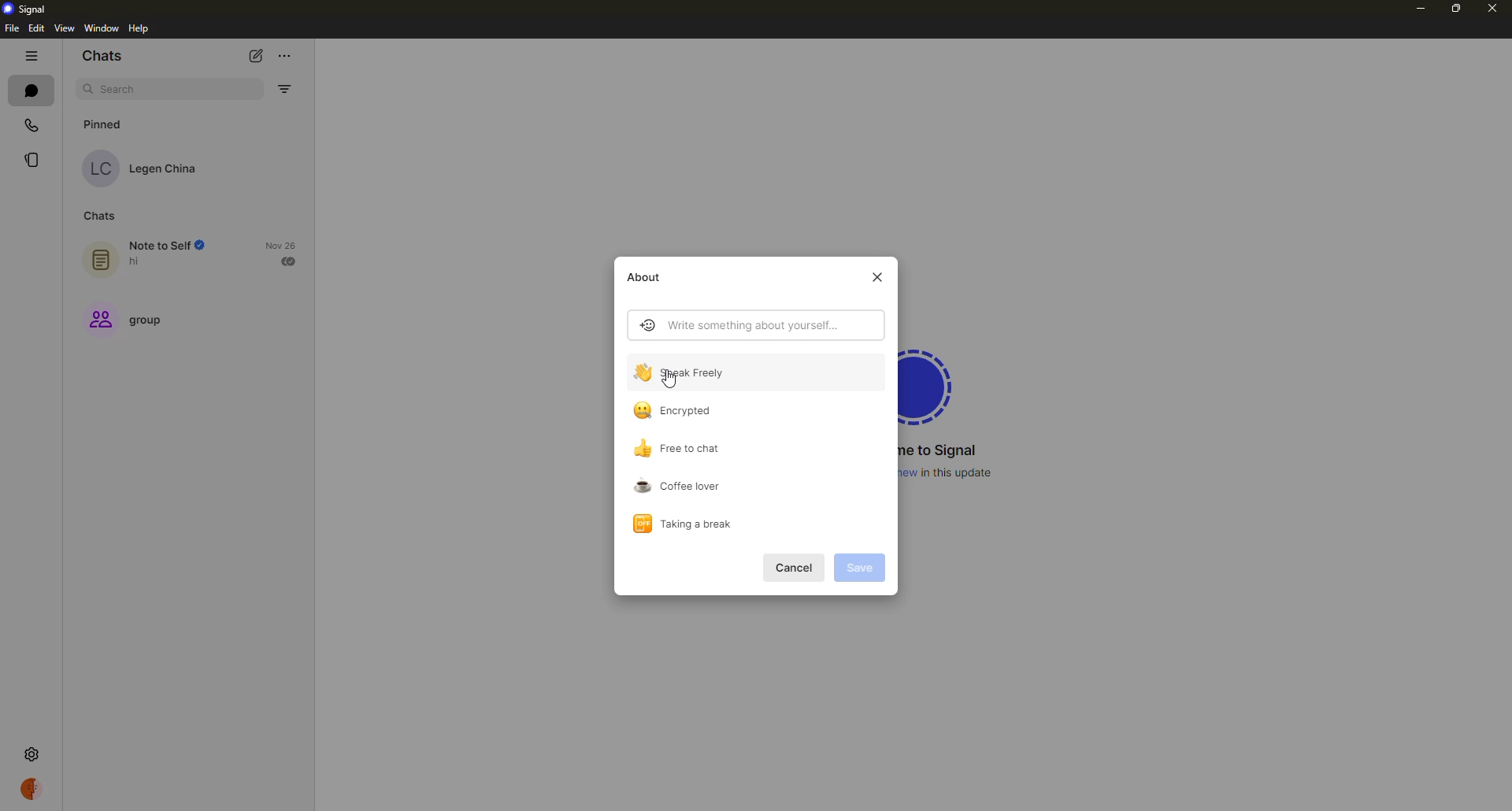 The image size is (1512, 811). Describe the element at coordinates (123, 90) in the screenshot. I see `search` at that location.